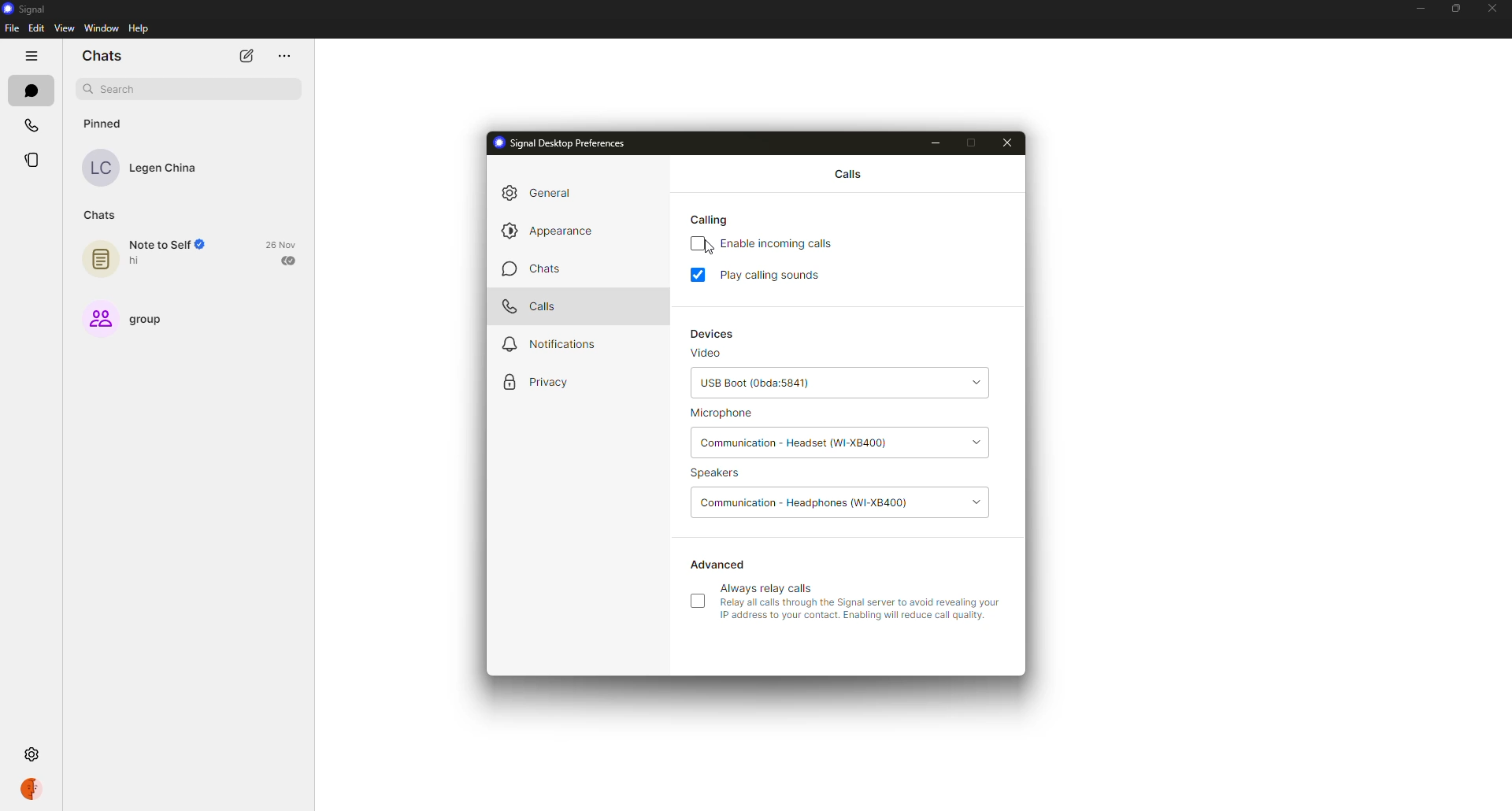 The image size is (1512, 811). Describe the element at coordinates (29, 55) in the screenshot. I see `hide tabs` at that location.